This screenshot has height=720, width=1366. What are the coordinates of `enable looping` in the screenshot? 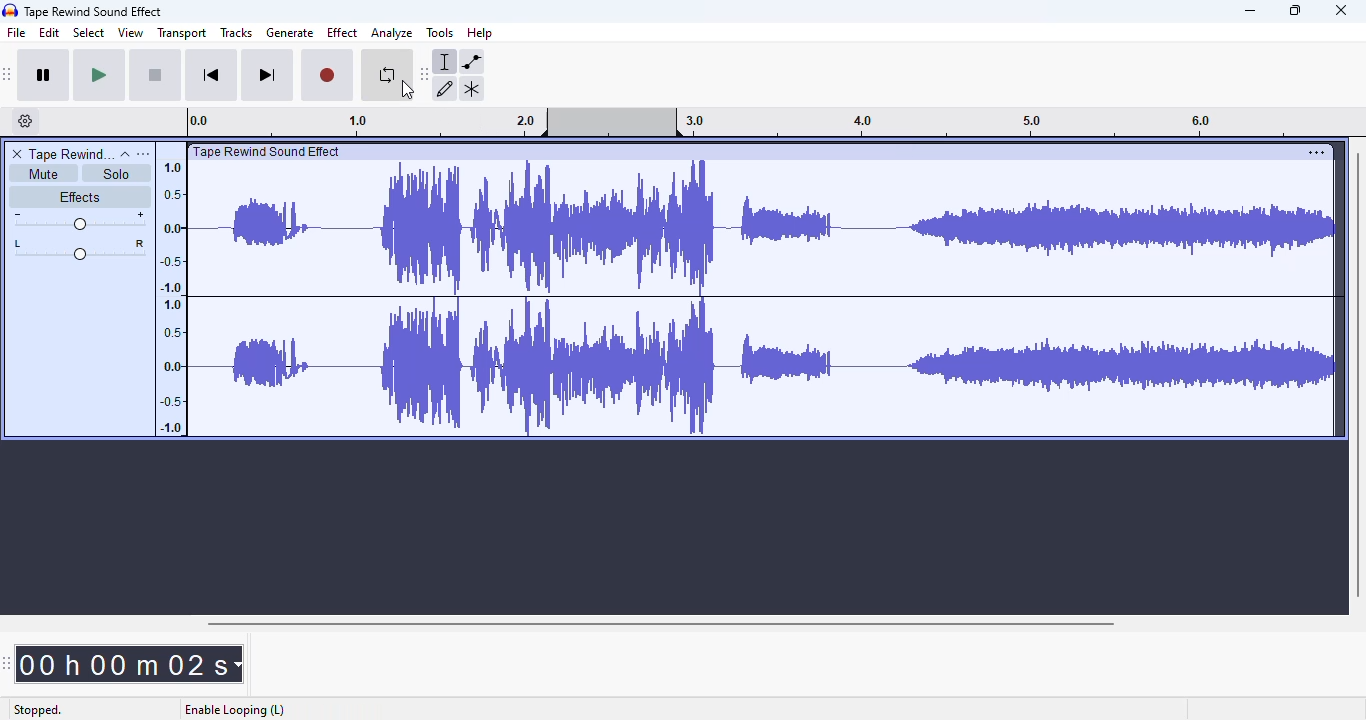 It's located at (385, 78).